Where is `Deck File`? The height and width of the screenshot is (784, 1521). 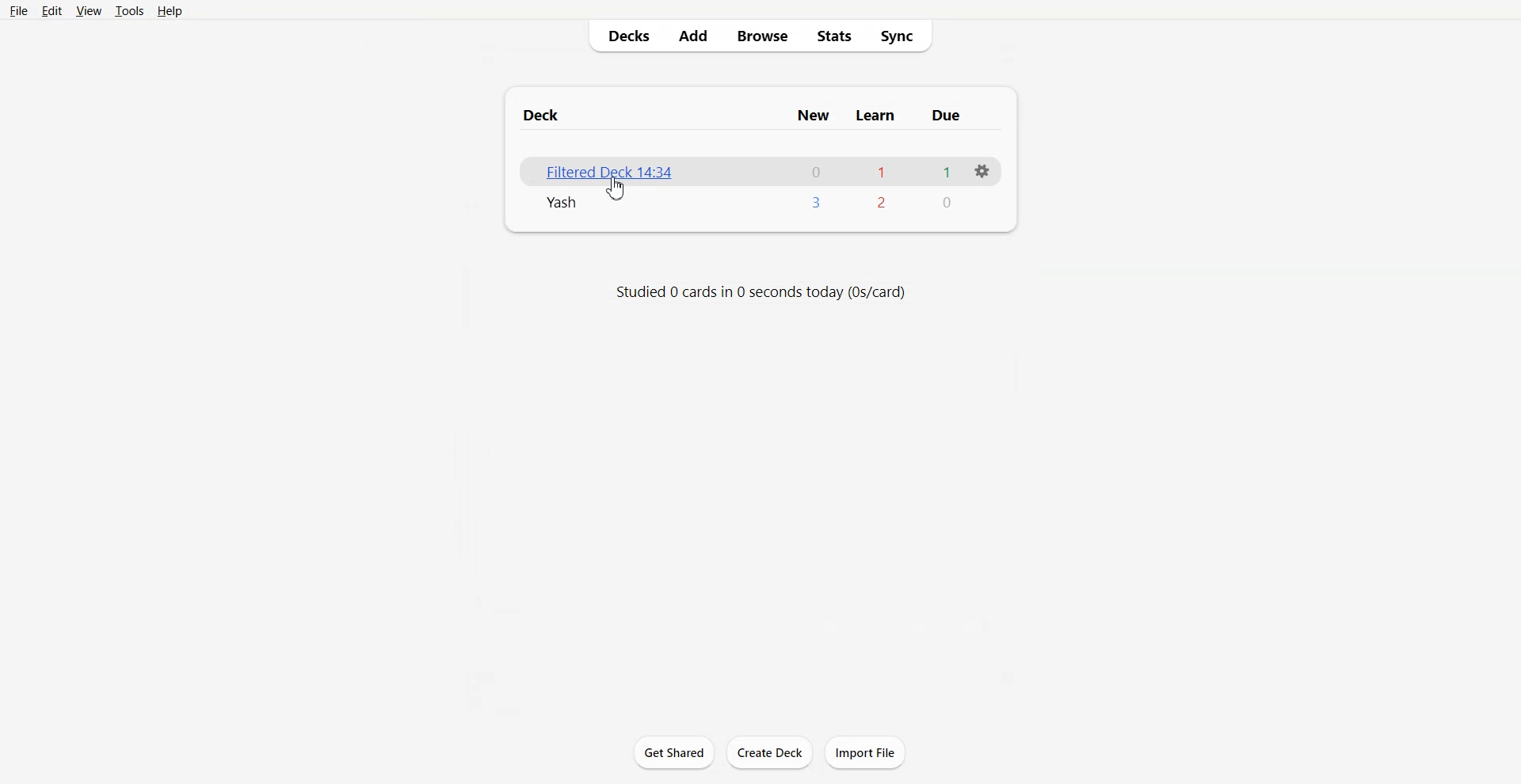 Deck File is located at coordinates (599, 169).